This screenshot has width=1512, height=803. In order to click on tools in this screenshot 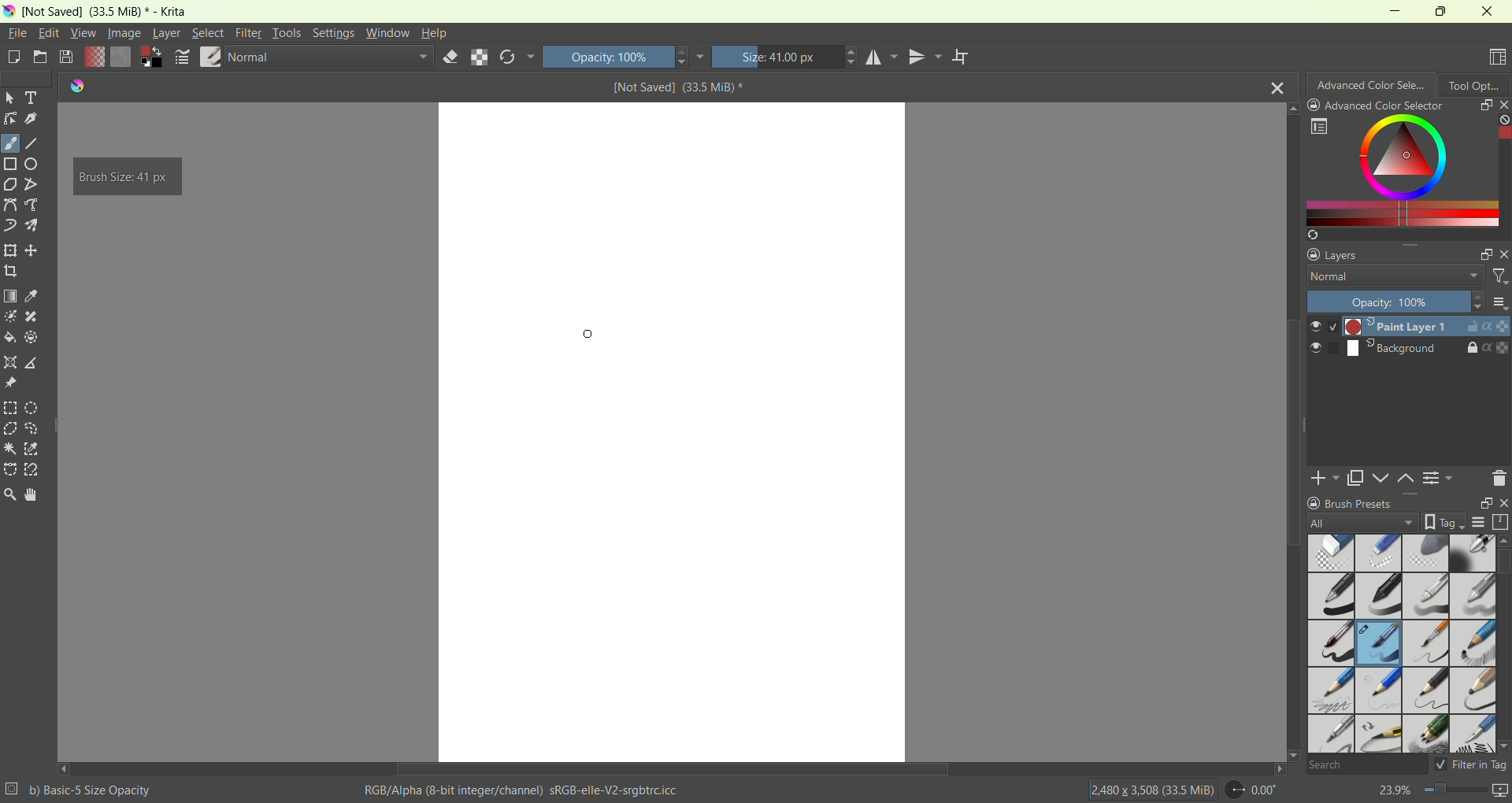, I will do `click(287, 33)`.